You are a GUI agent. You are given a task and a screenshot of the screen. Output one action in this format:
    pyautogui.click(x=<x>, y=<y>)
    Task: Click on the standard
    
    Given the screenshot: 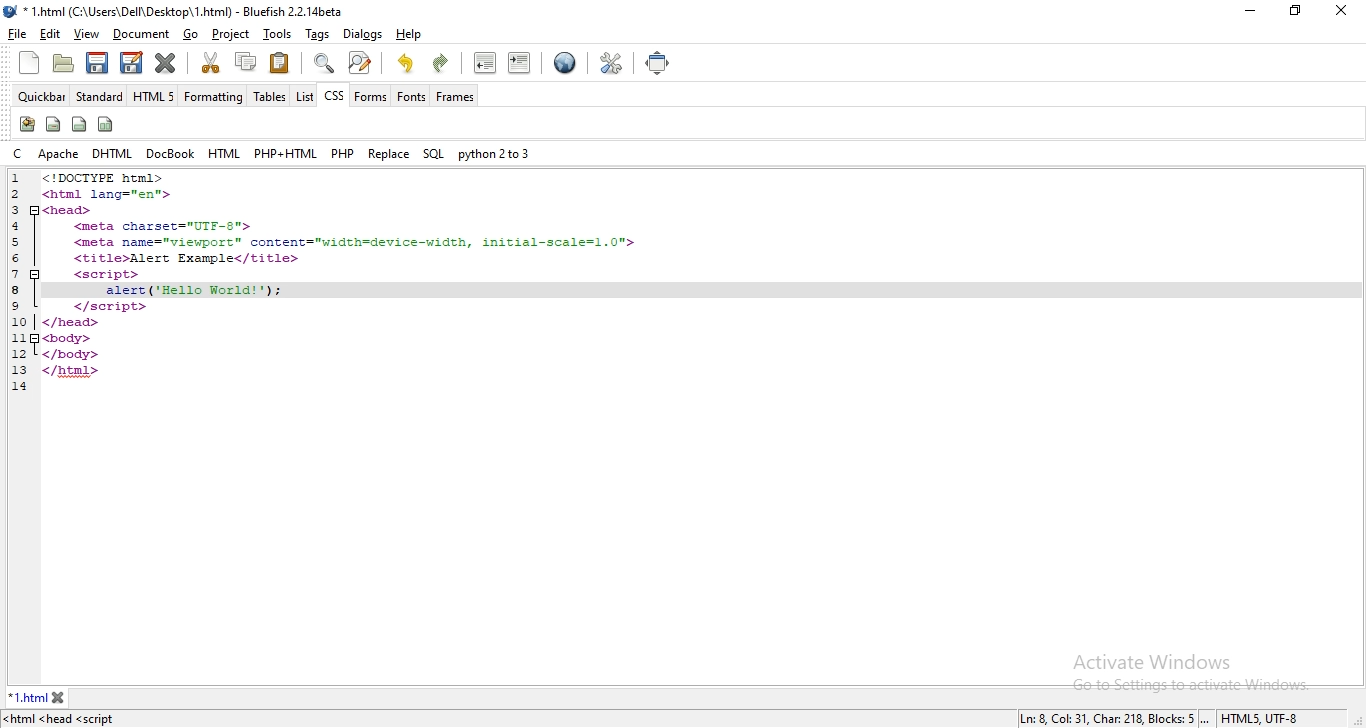 What is the action you would take?
    pyautogui.click(x=101, y=96)
    